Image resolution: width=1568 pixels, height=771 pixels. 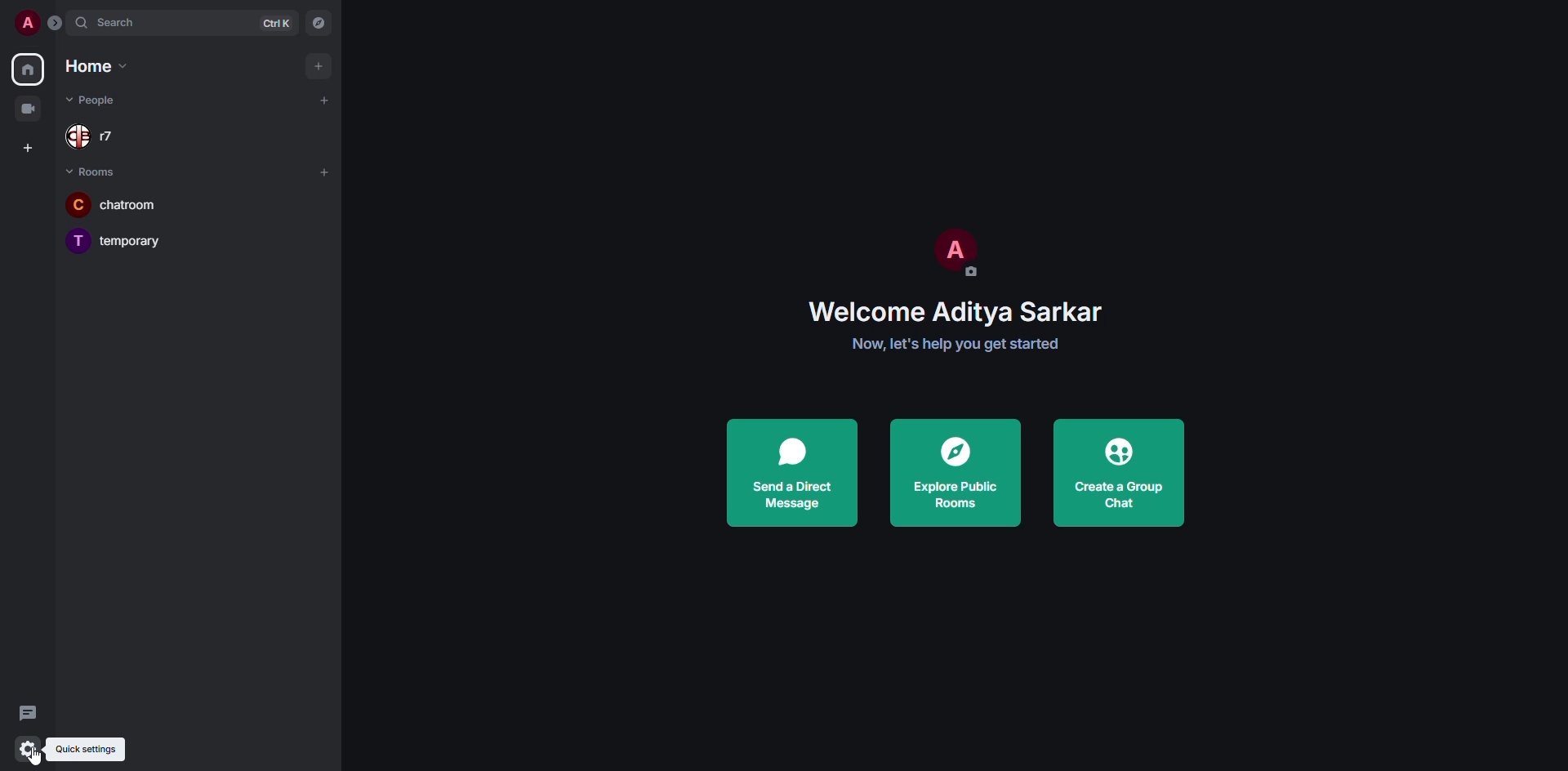 What do you see at coordinates (98, 67) in the screenshot?
I see `home` at bounding box center [98, 67].